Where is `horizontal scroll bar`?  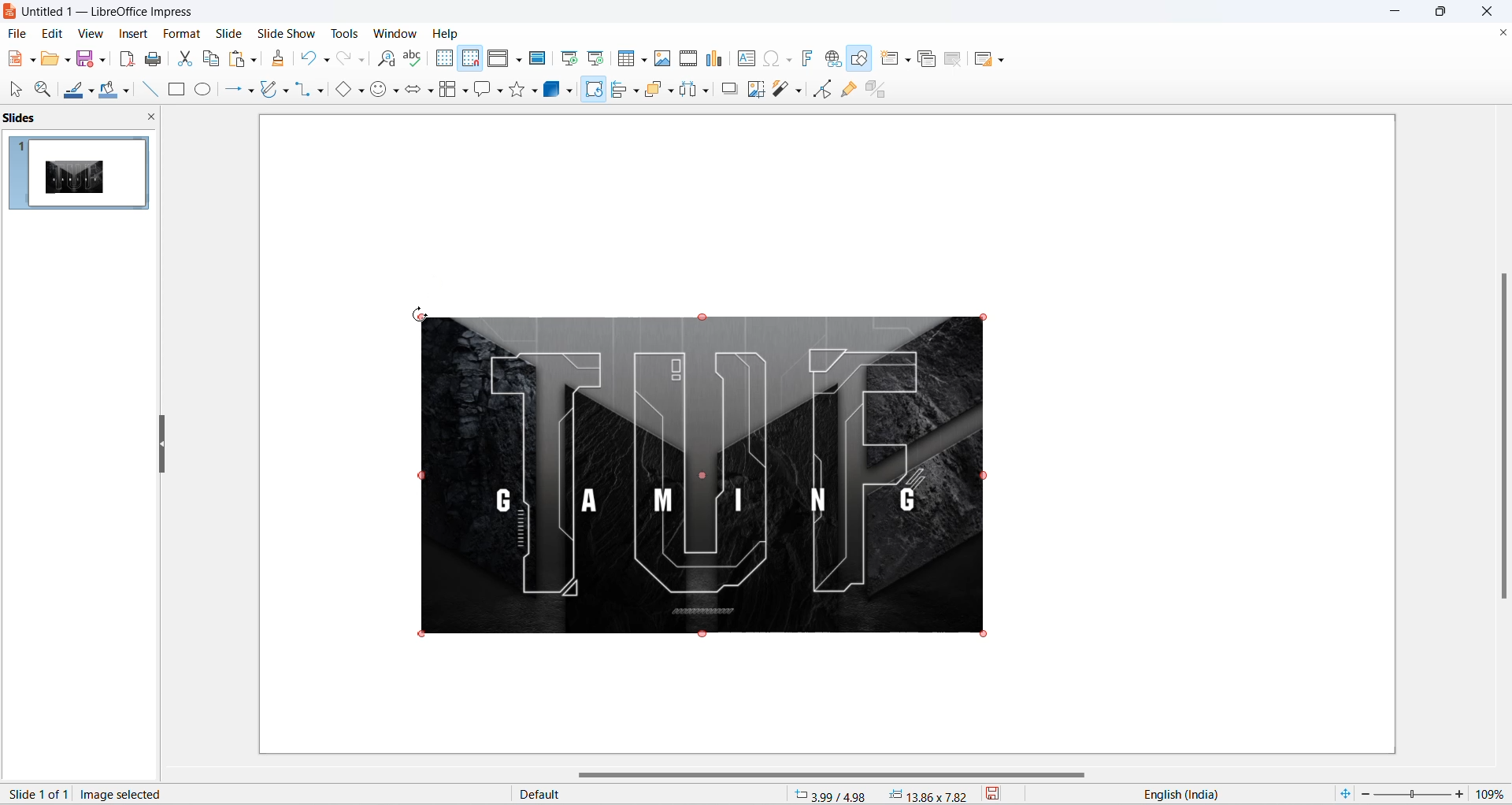 horizontal scroll bar is located at coordinates (836, 776).